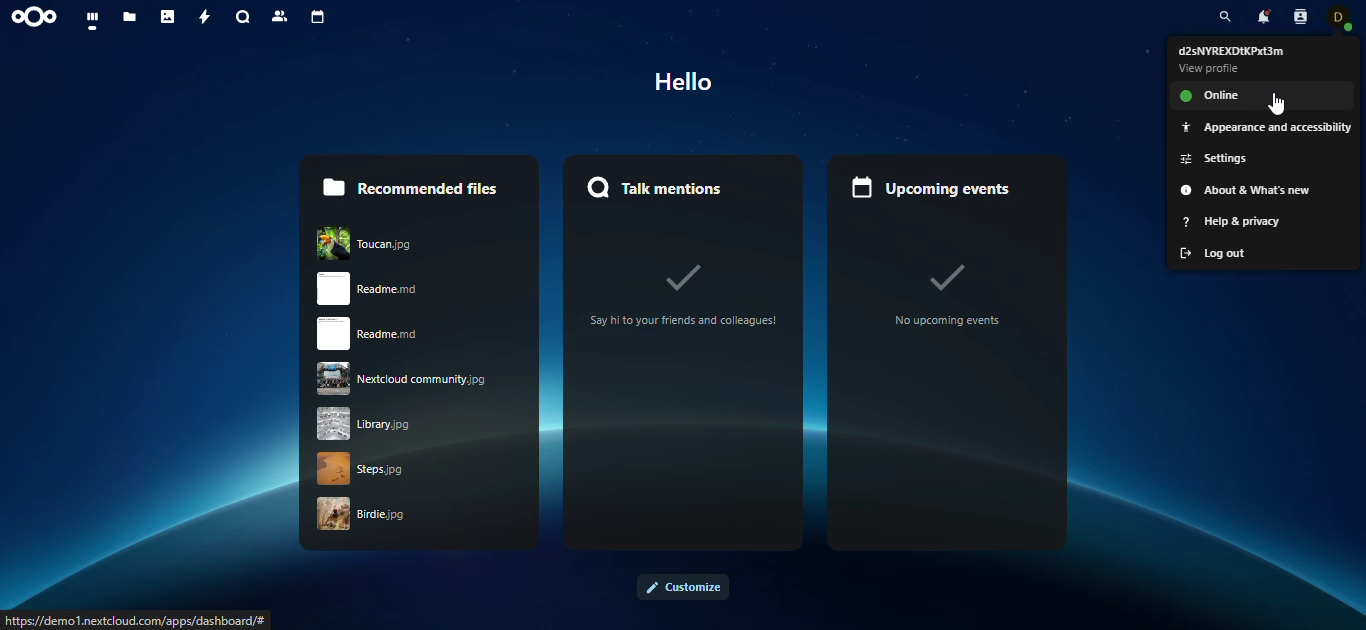 This screenshot has height=630, width=1366. What do you see at coordinates (1260, 96) in the screenshot?
I see `online` at bounding box center [1260, 96].